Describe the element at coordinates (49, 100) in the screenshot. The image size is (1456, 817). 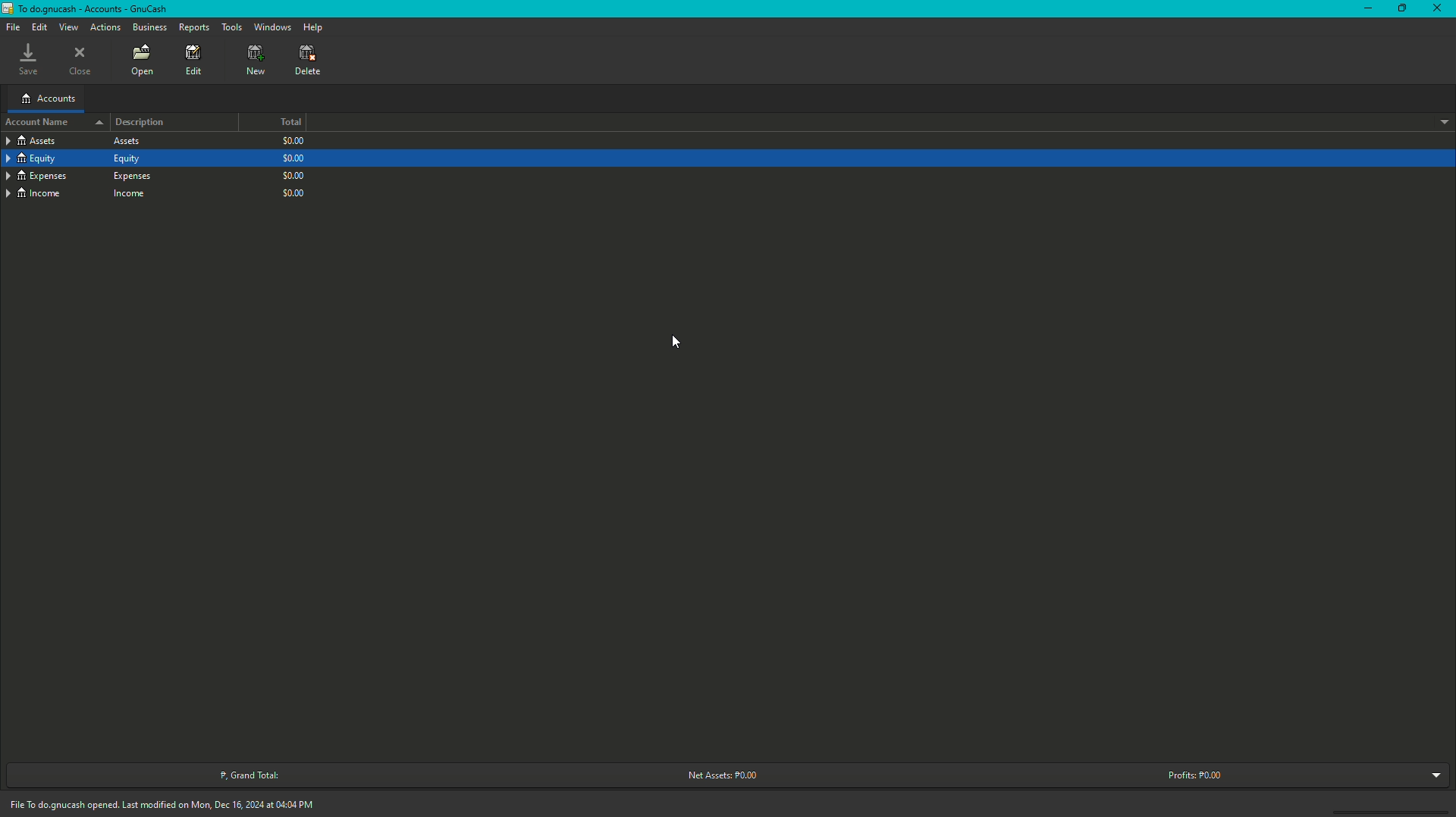
I see `Accounts` at that location.